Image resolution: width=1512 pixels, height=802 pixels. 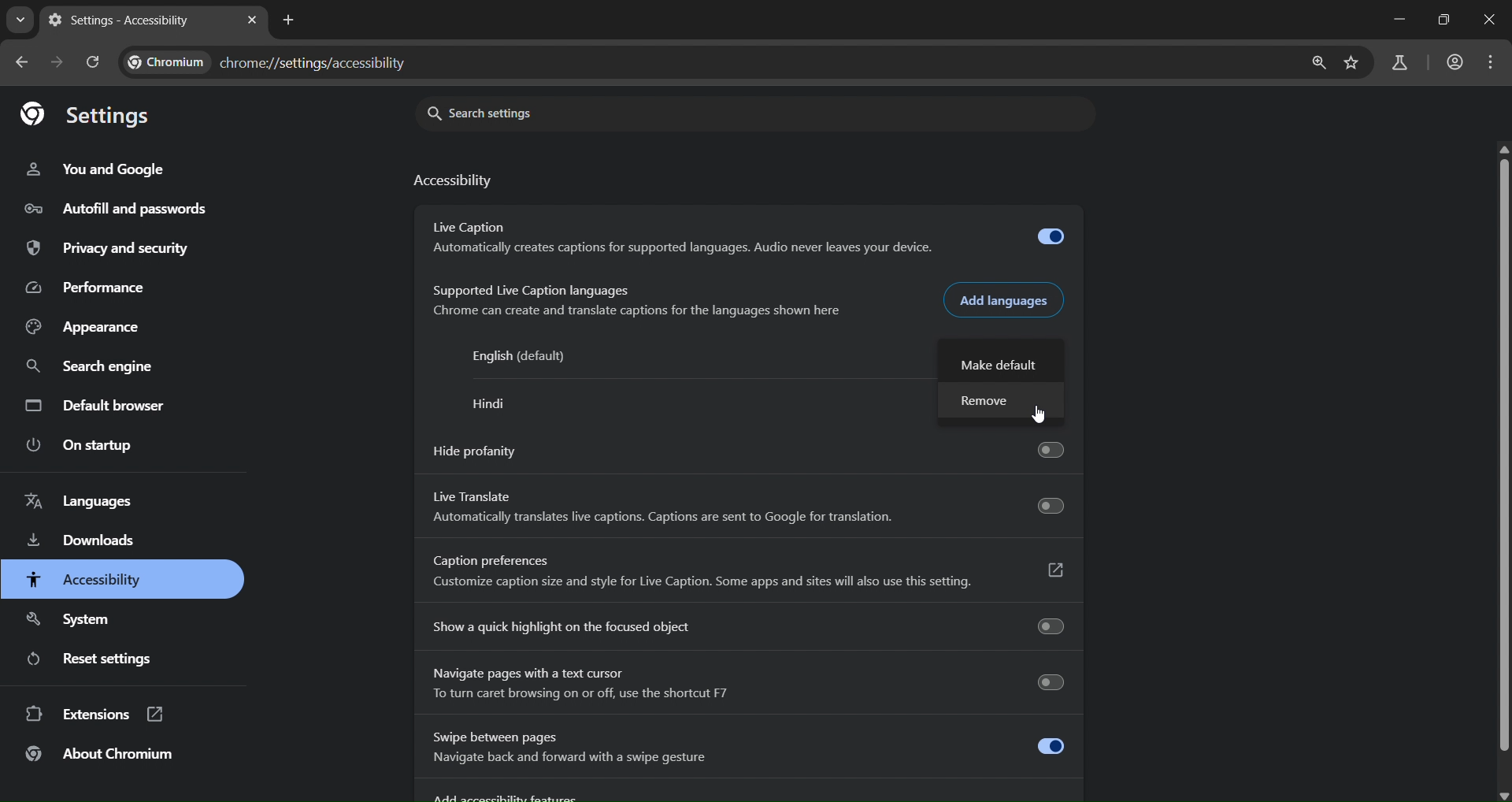 I want to click on on startup, so click(x=80, y=446).